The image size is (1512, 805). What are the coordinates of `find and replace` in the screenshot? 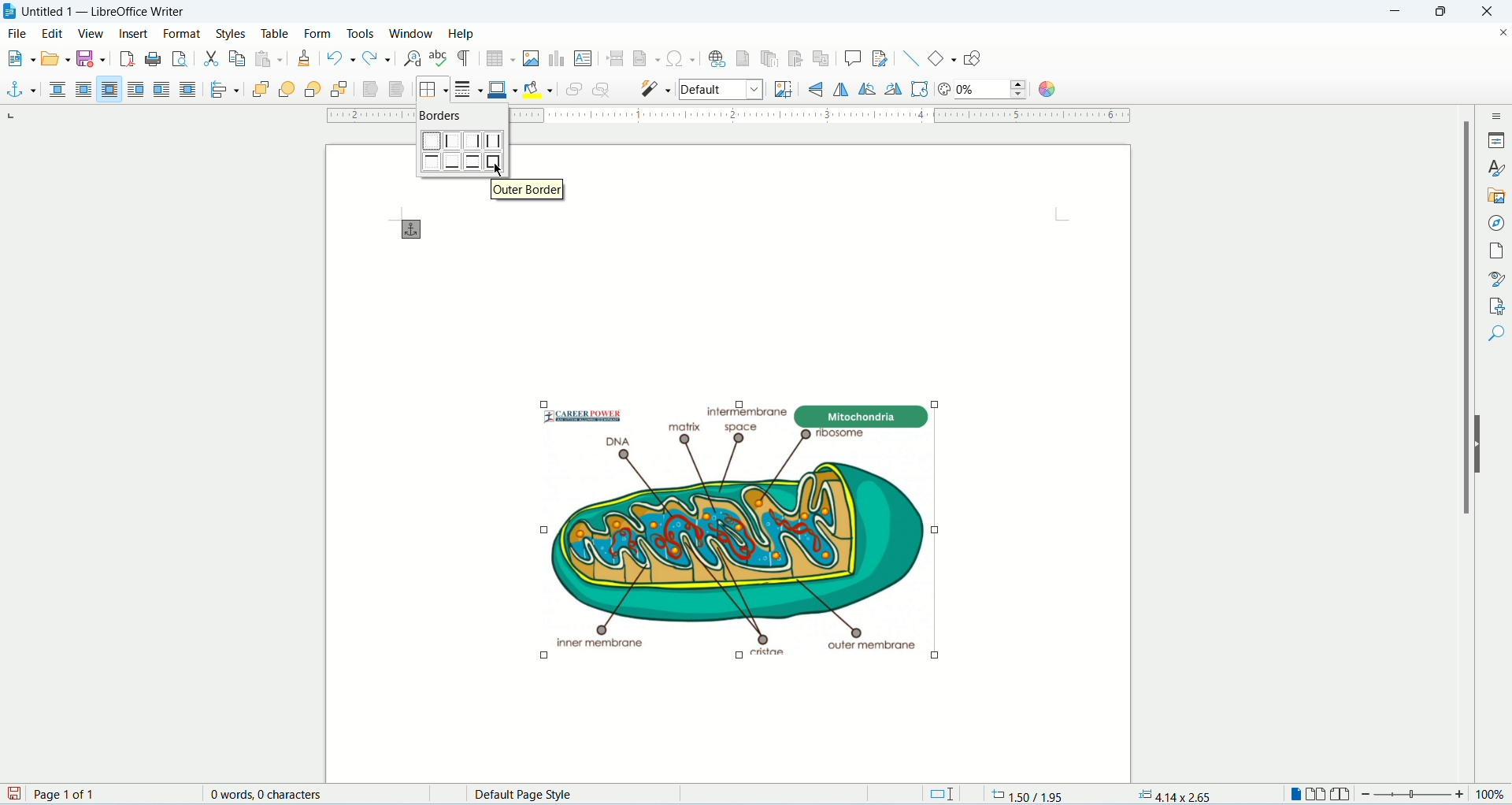 It's located at (413, 59).